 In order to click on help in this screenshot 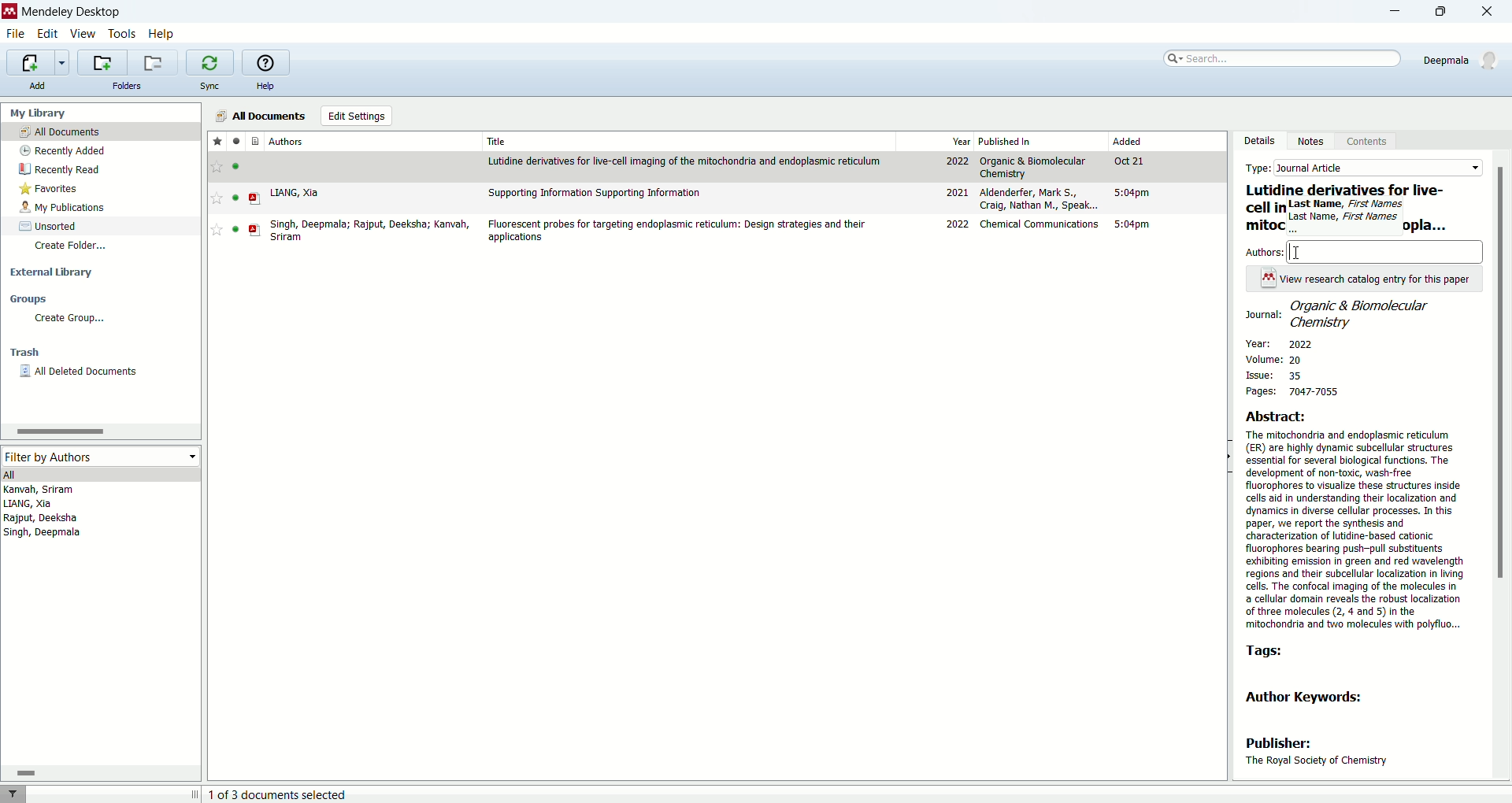, I will do `click(265, 86)`.